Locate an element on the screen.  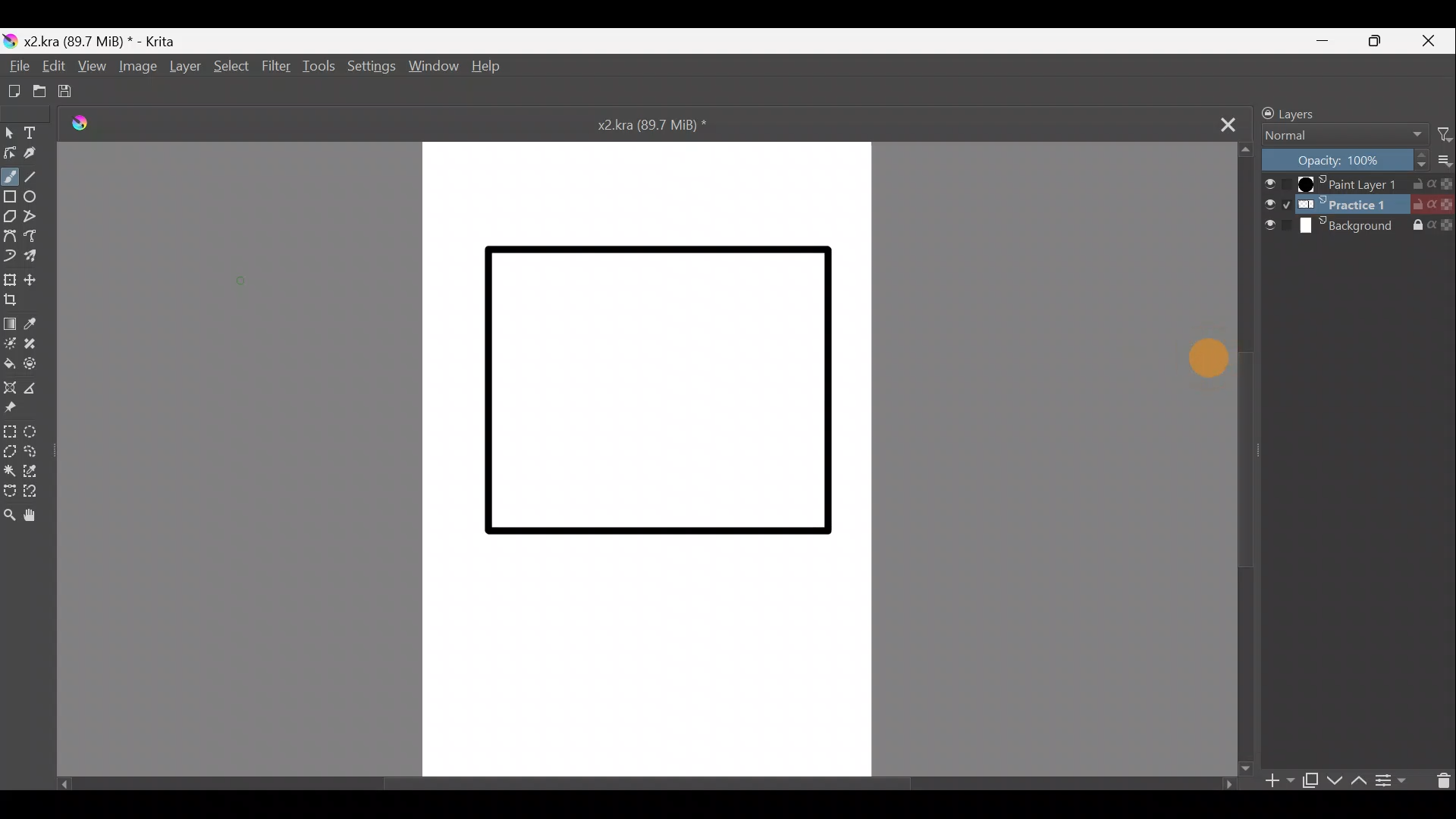
Magnetic curve selection tool is located at coordinates (36, 491).